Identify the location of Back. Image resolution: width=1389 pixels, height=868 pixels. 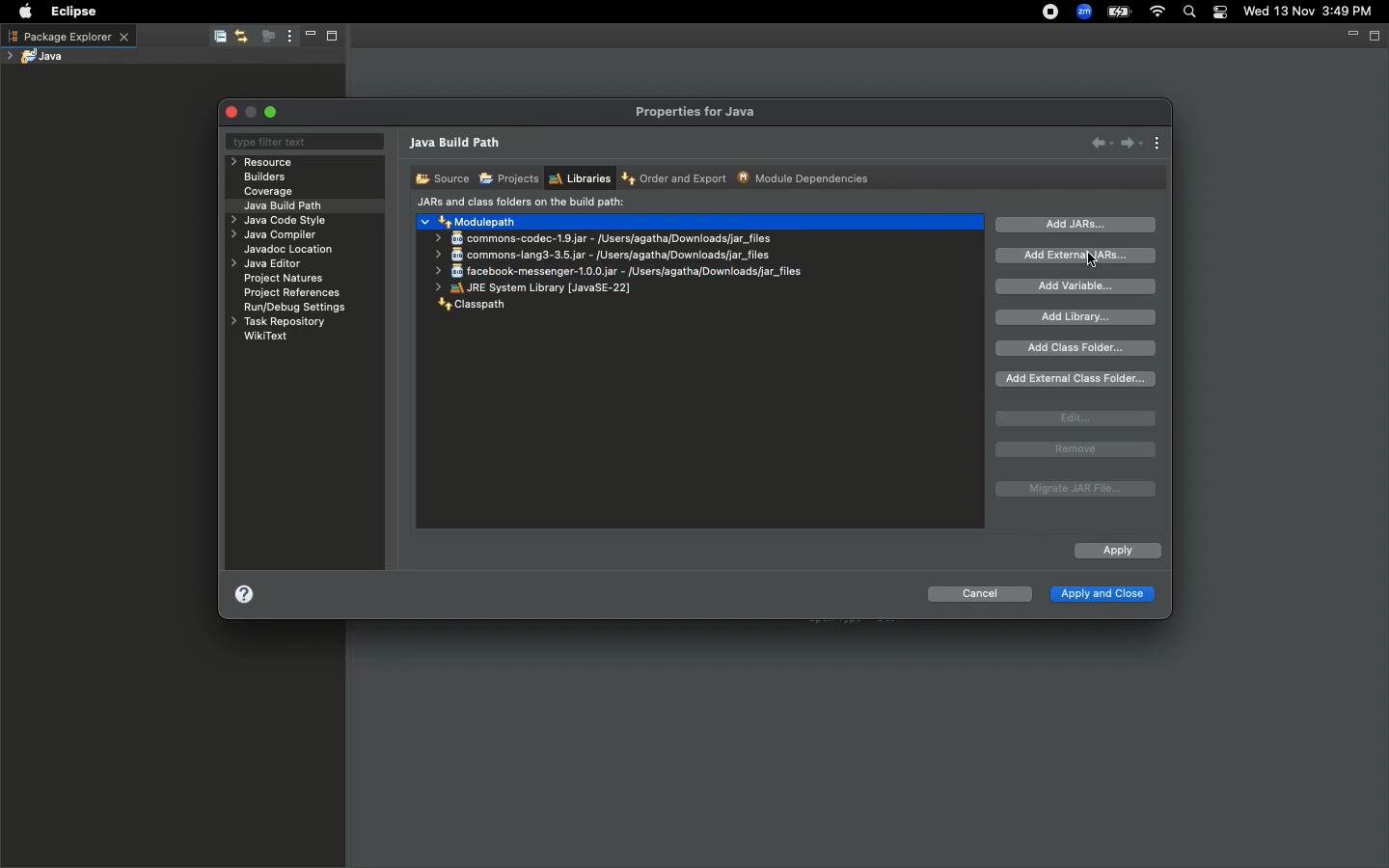
(1102, 142).